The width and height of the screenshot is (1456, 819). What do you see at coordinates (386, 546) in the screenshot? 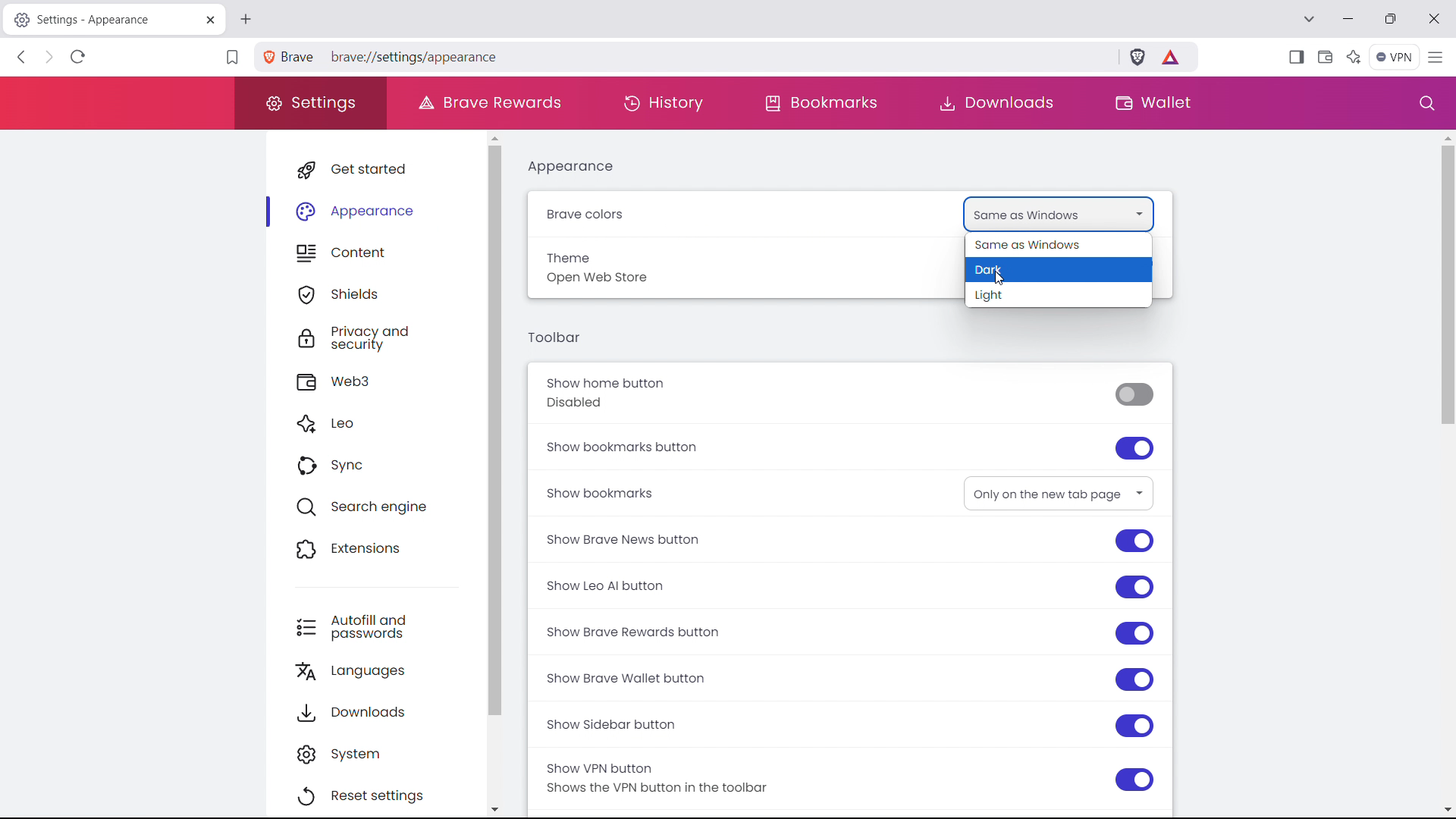
I see `extensions` at bounding box center [386, 546].